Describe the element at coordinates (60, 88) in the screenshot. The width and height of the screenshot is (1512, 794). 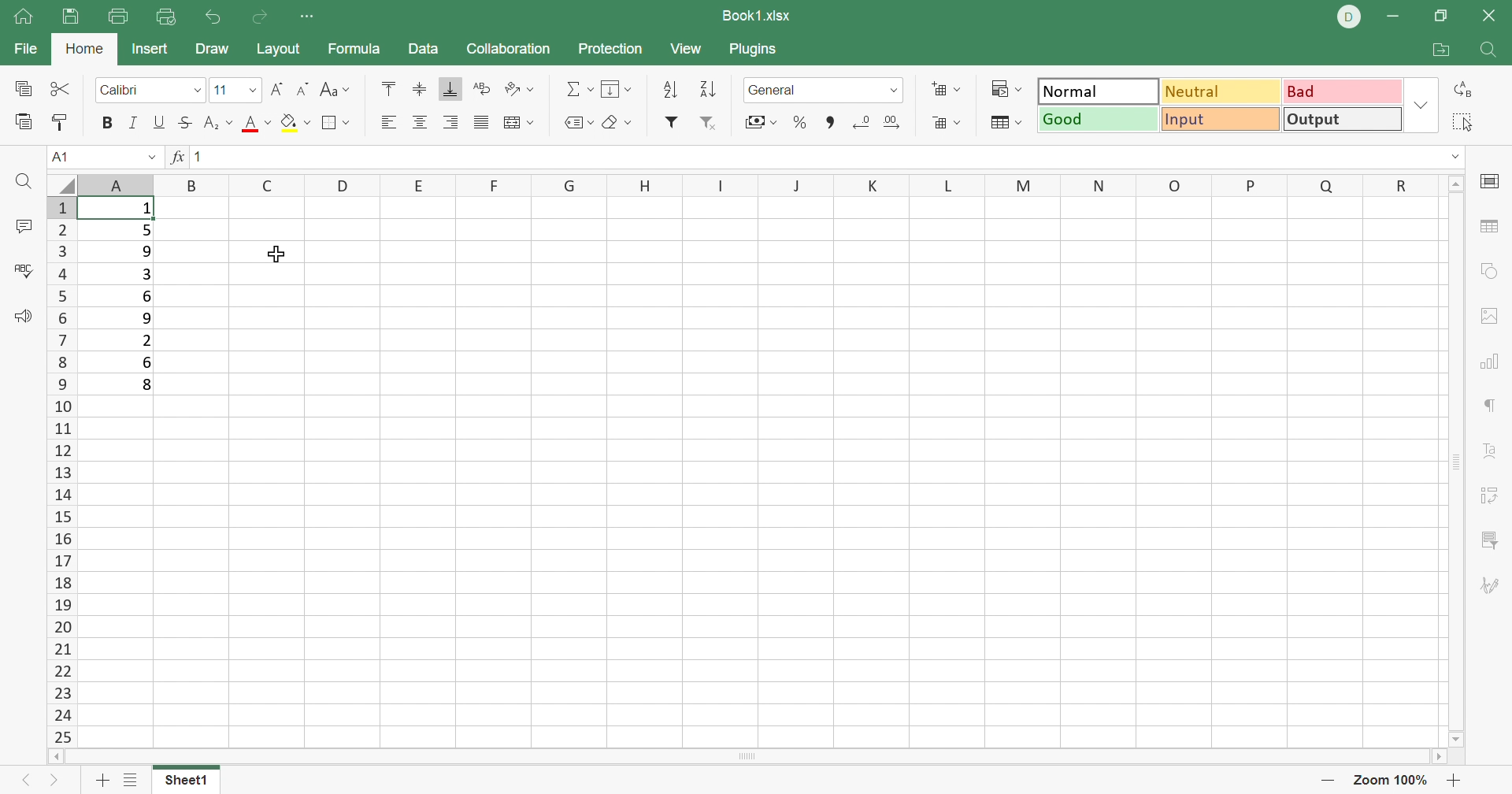
I see `Cut` at that location.